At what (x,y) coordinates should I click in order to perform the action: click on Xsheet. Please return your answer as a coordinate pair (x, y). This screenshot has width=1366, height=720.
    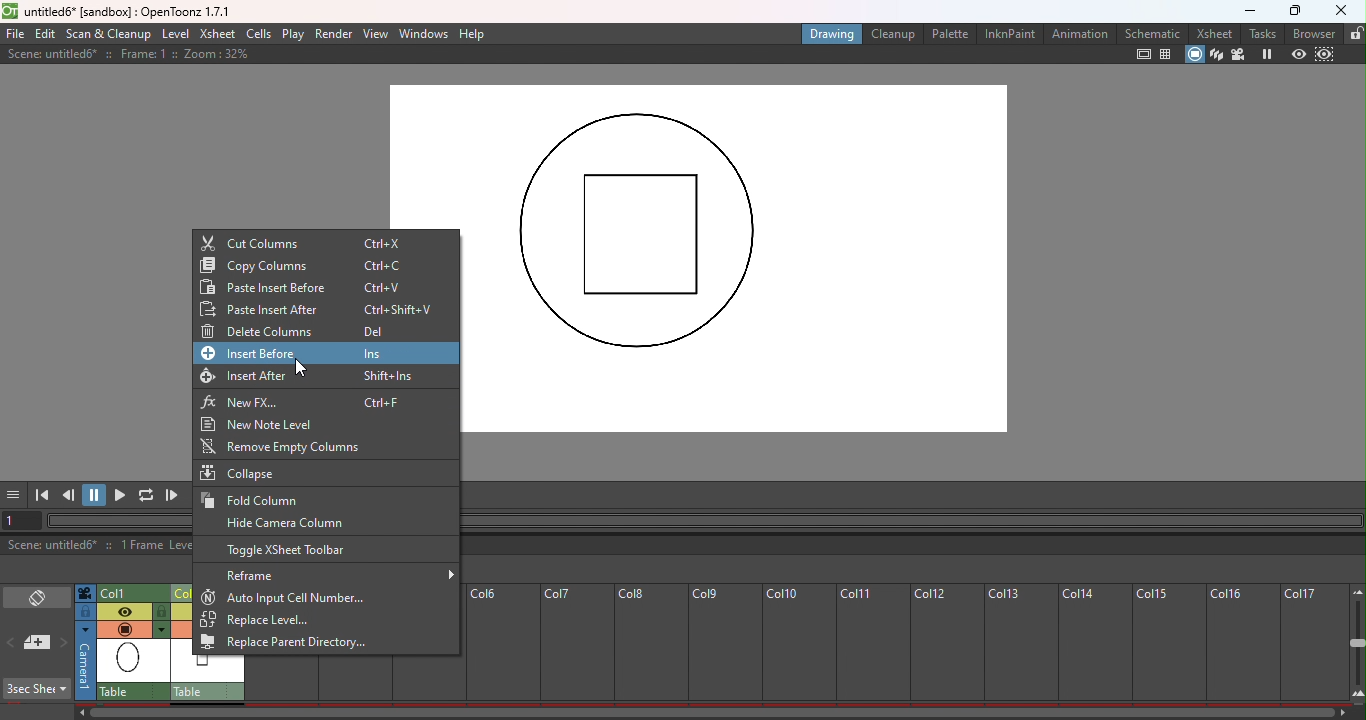
    Looking at the image, I should click on (1217, 32).